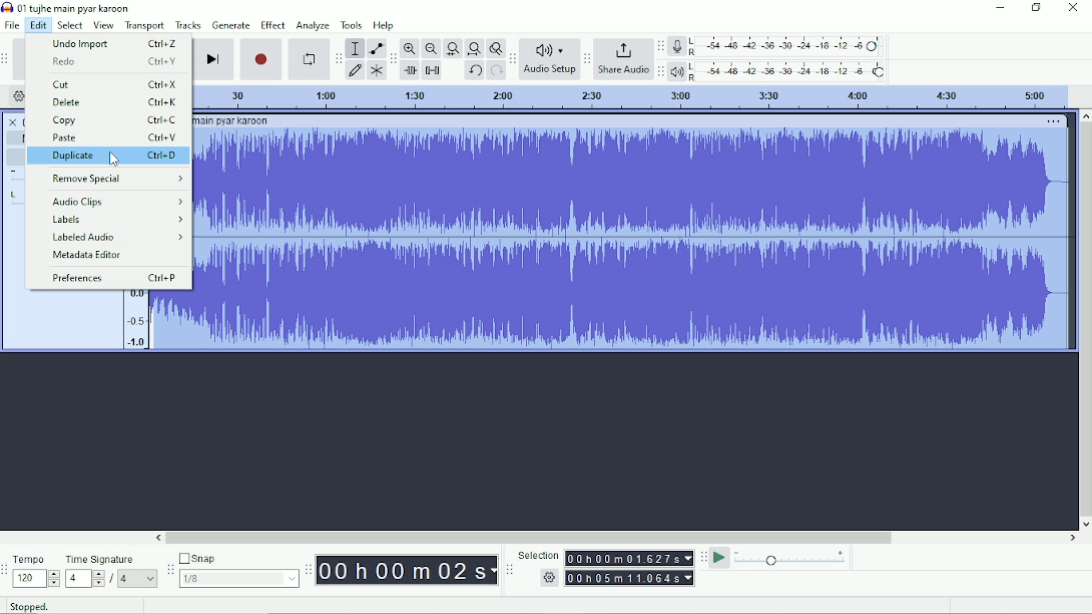 This screenshot has width=1092, height=614. What do you see at coordinates (474, 71) in the screenshot?
I see `Undo` at bounding box center [474, 71].